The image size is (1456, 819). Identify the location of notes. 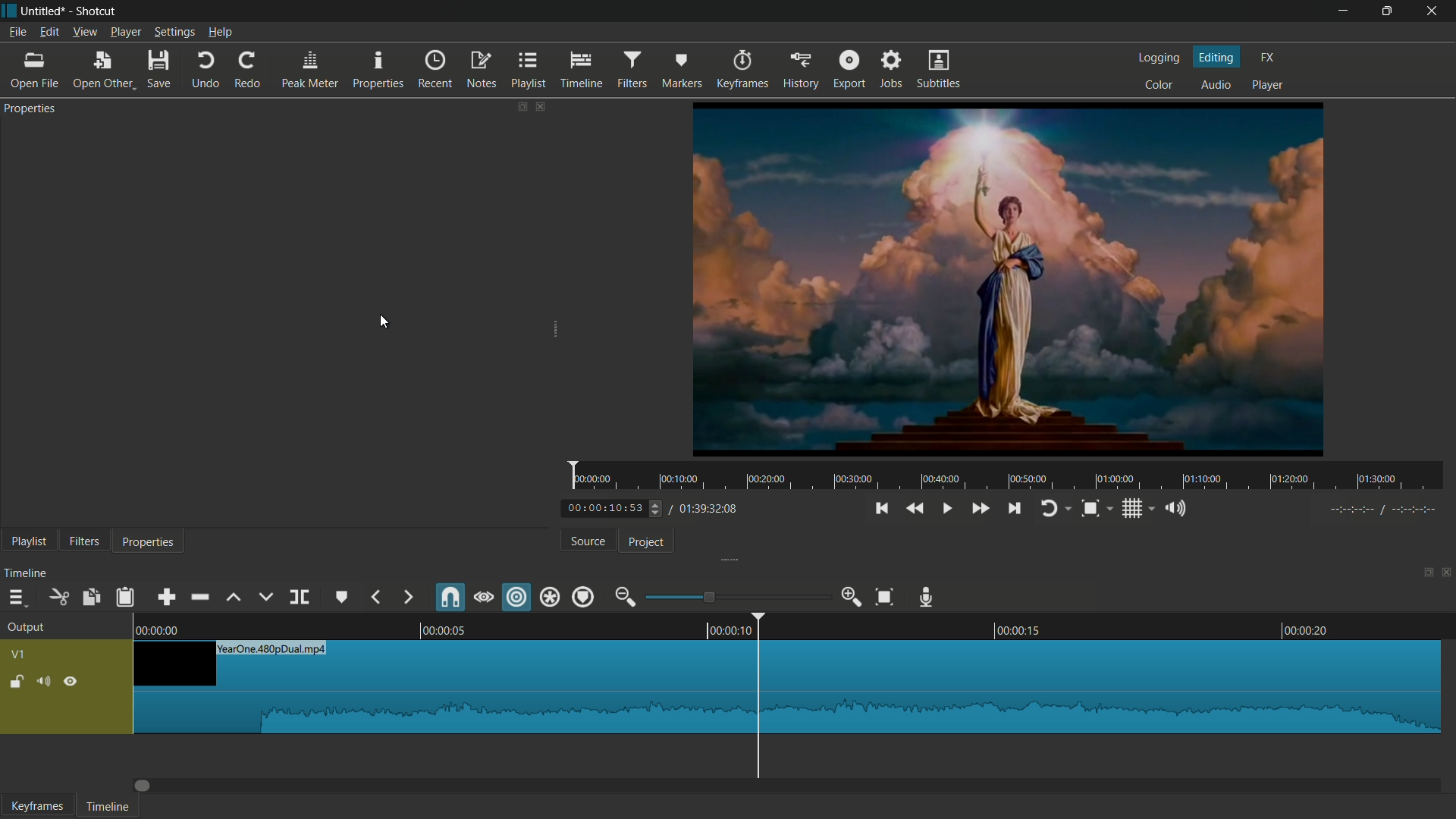
(481, 68).